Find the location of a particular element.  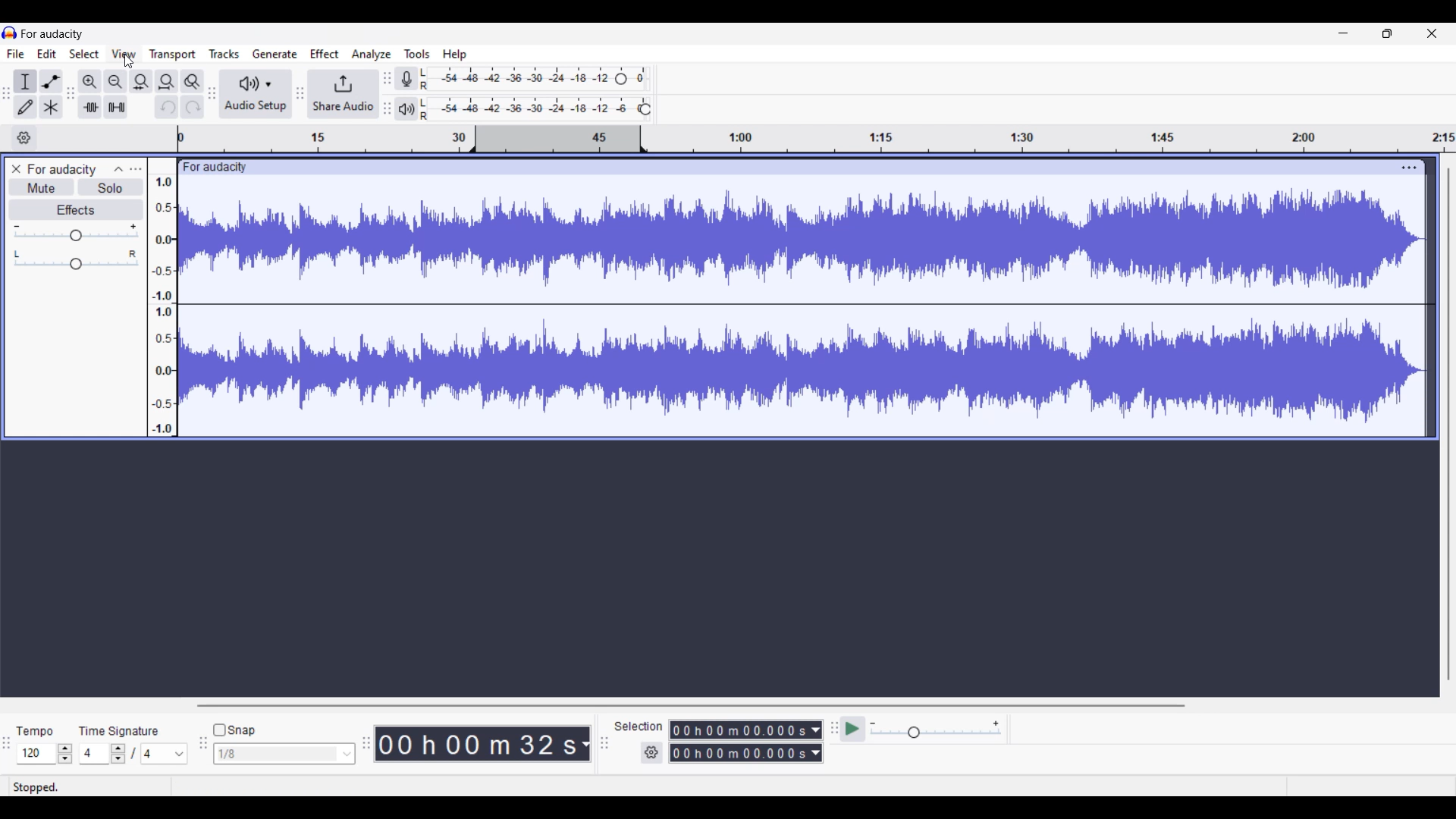

Show in smaller tab is located at coordinates (1387, 33).